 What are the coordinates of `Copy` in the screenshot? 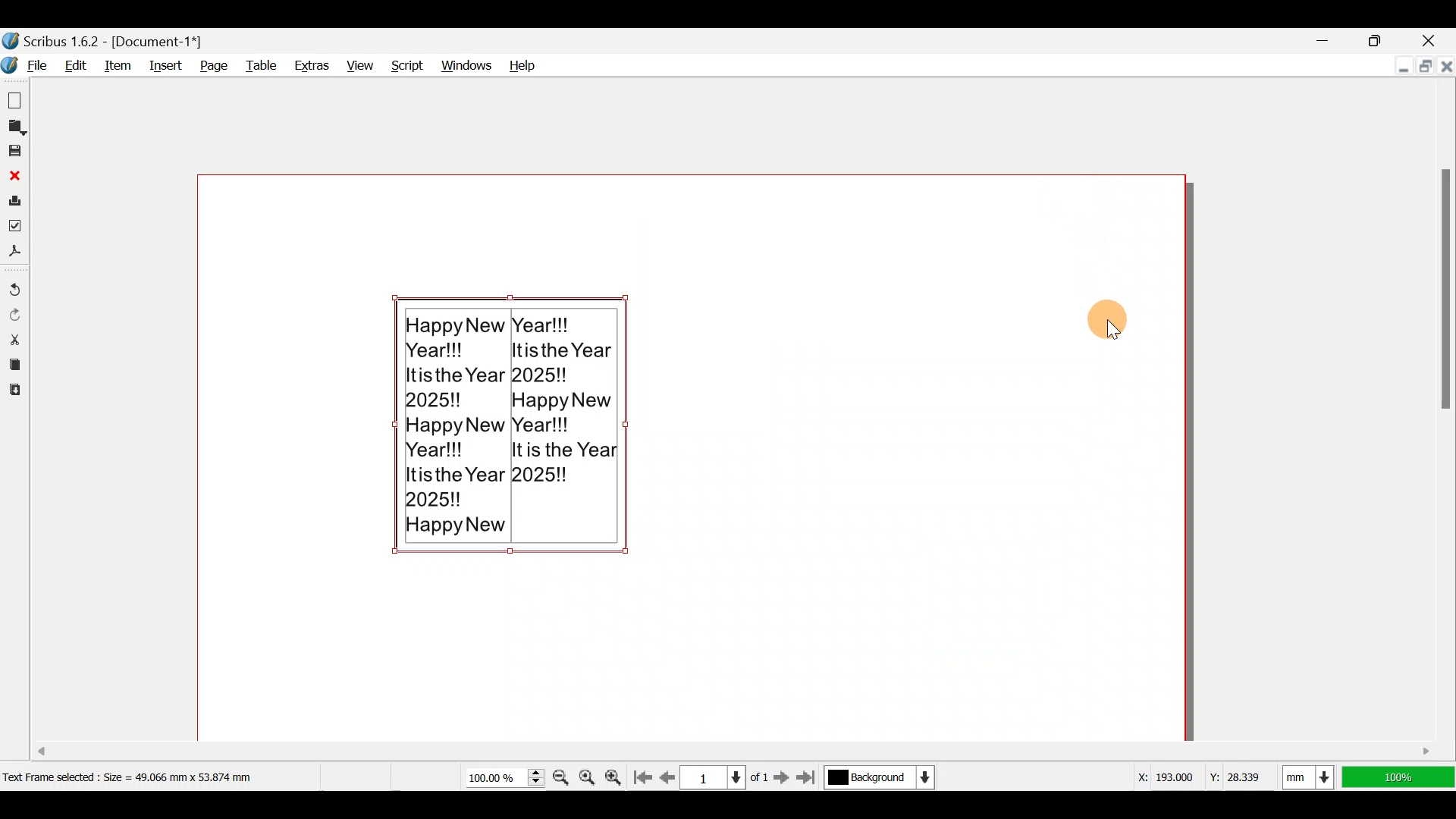 It's located at (14, 364).